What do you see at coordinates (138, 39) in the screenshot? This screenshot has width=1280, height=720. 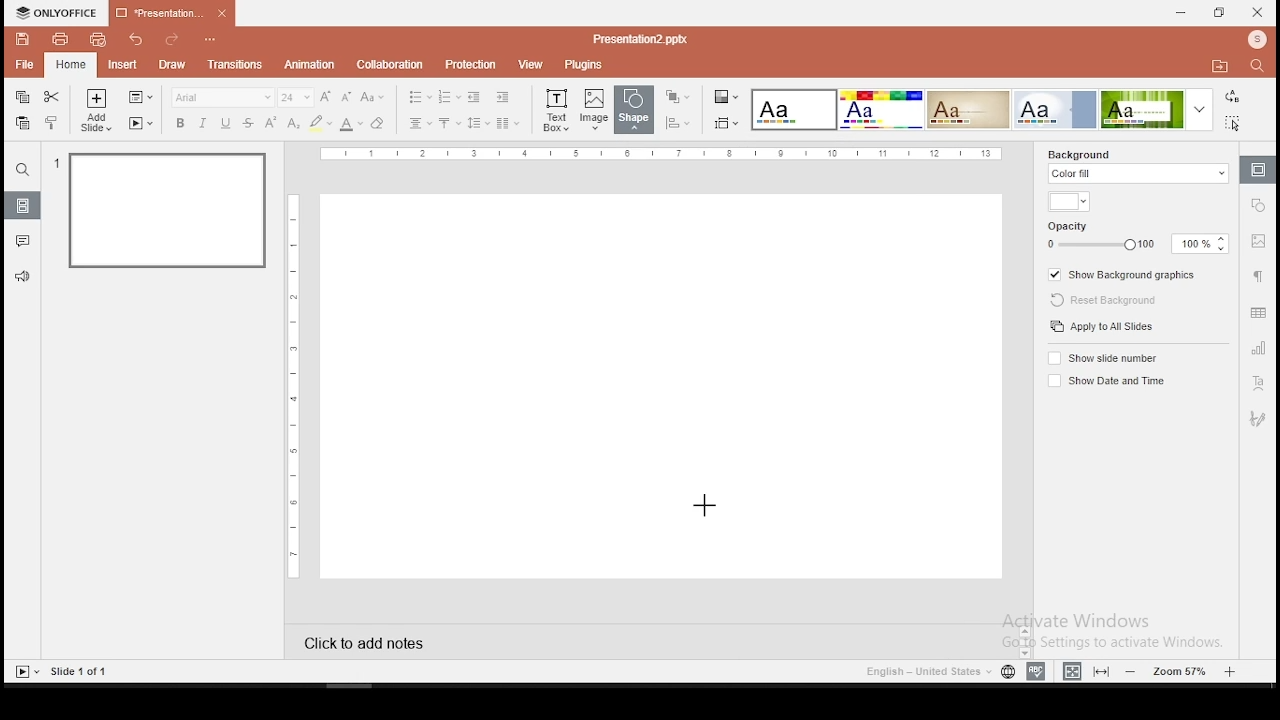 I see `undo` at bounding box center [138, 39].